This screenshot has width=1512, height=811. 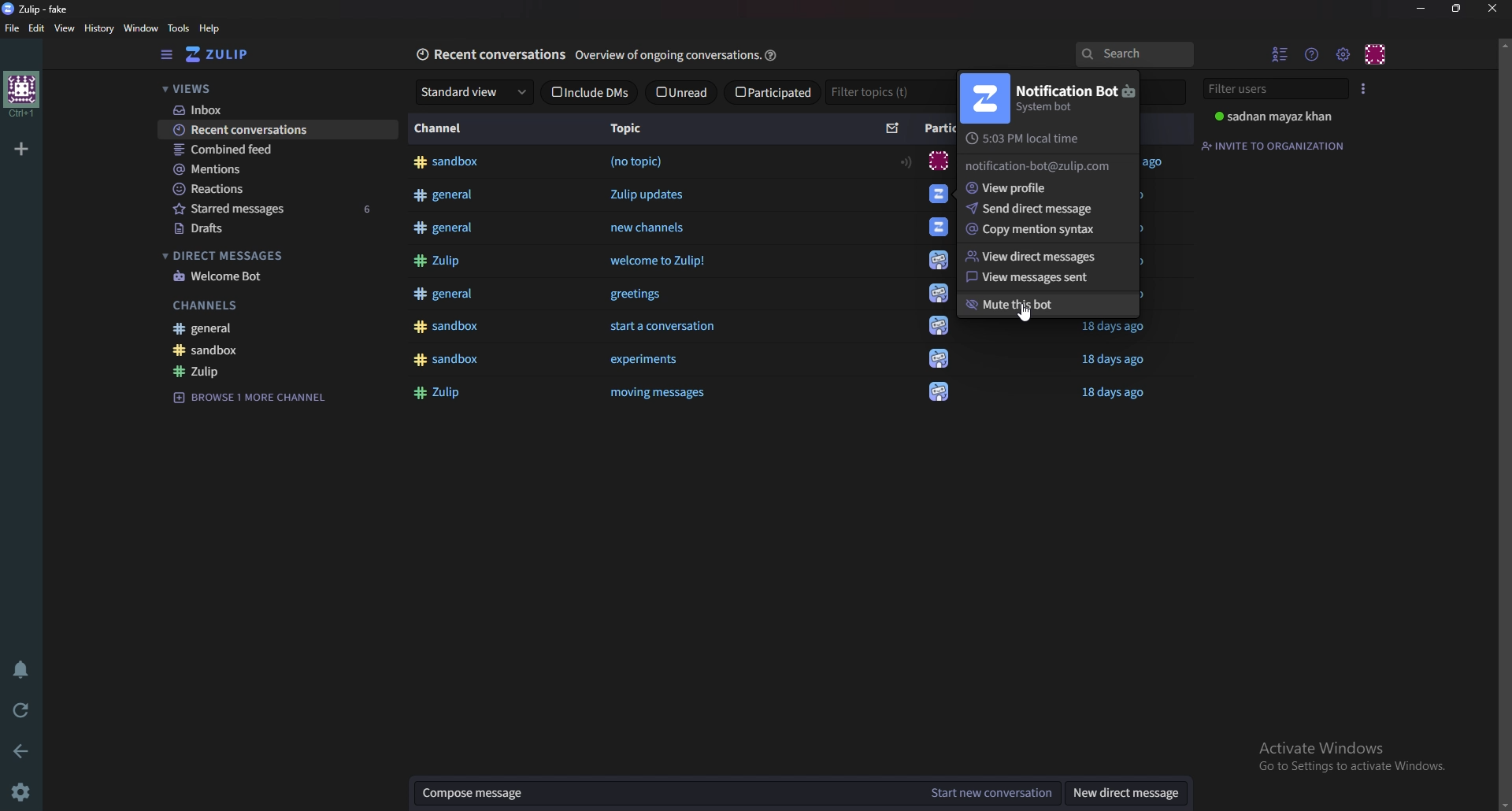 I want to click on Range, so click(x=906, y=162).